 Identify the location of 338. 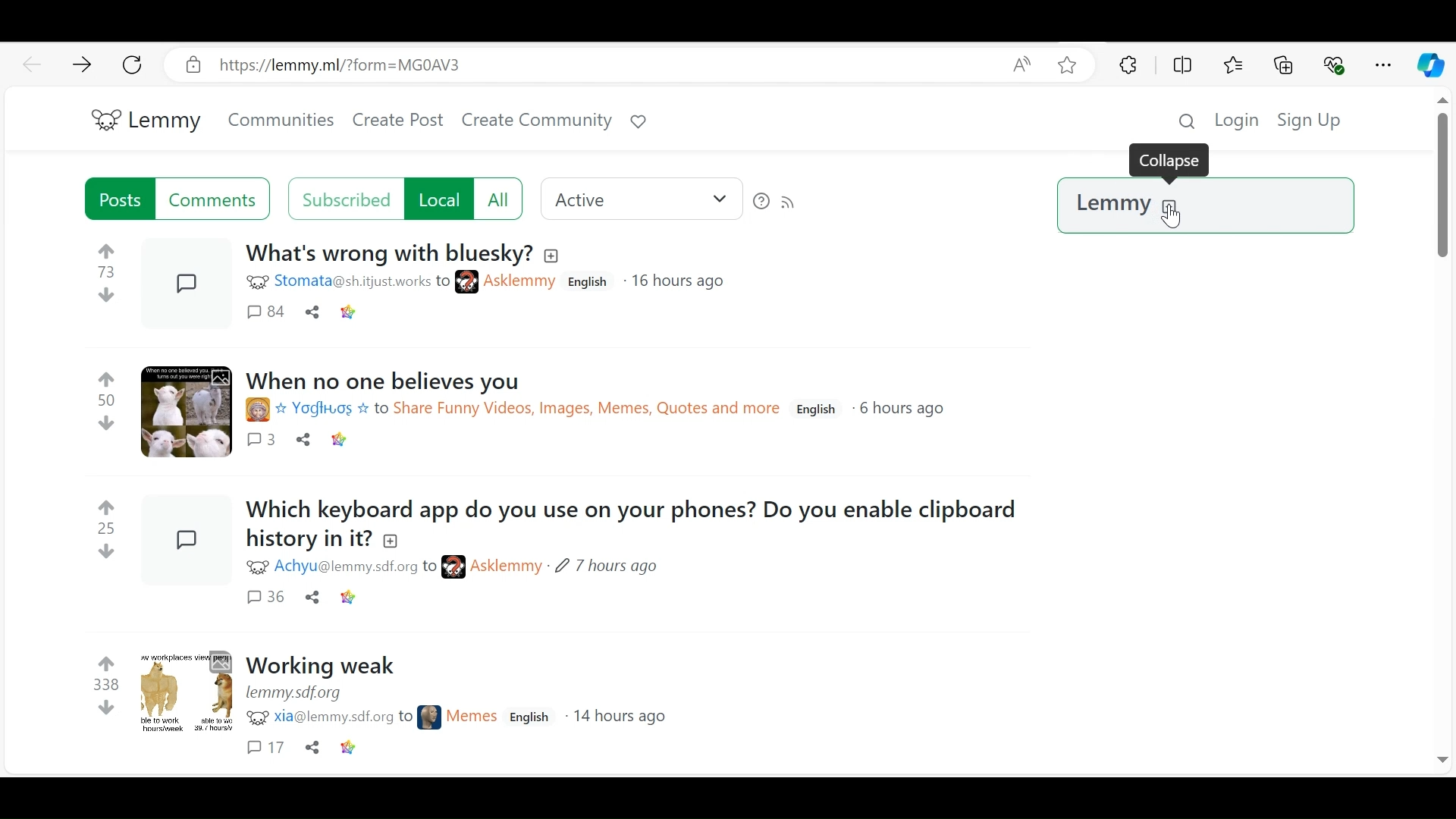
(106, 682).